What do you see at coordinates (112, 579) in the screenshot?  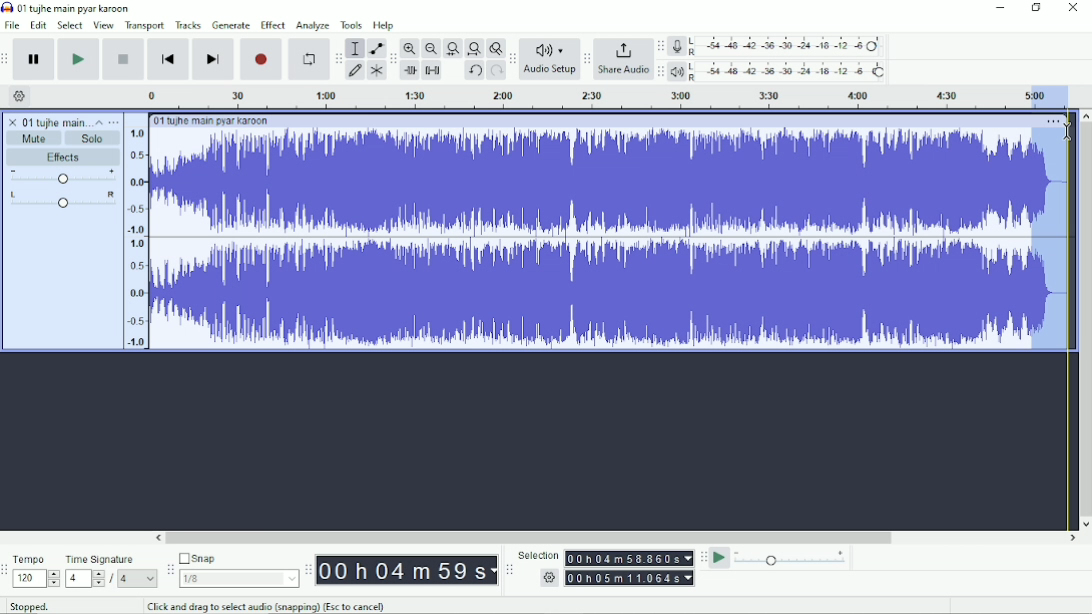 I see `/` at bounding box center [112, 579].